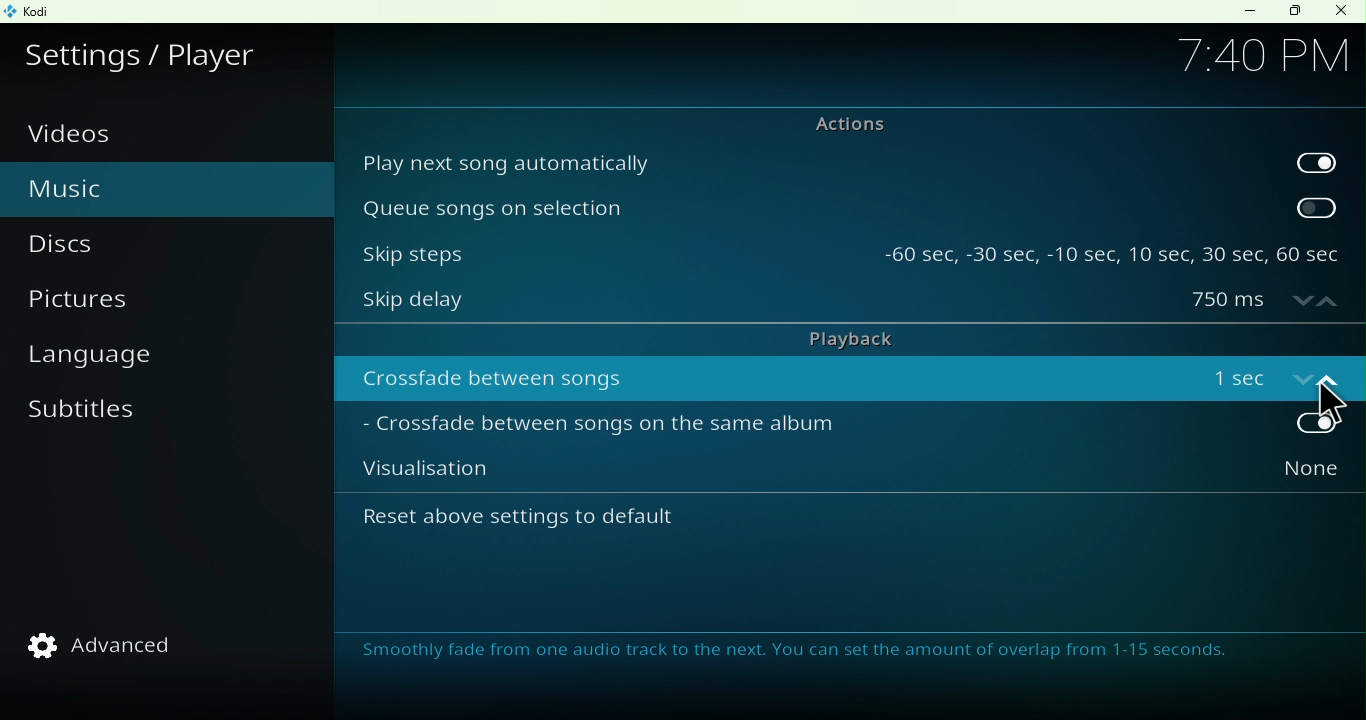 The height and width of the screenshot is (720, 1366). Describe the element at coordinates (1269, 425) in the screenshot. I see `toggle` at that location.